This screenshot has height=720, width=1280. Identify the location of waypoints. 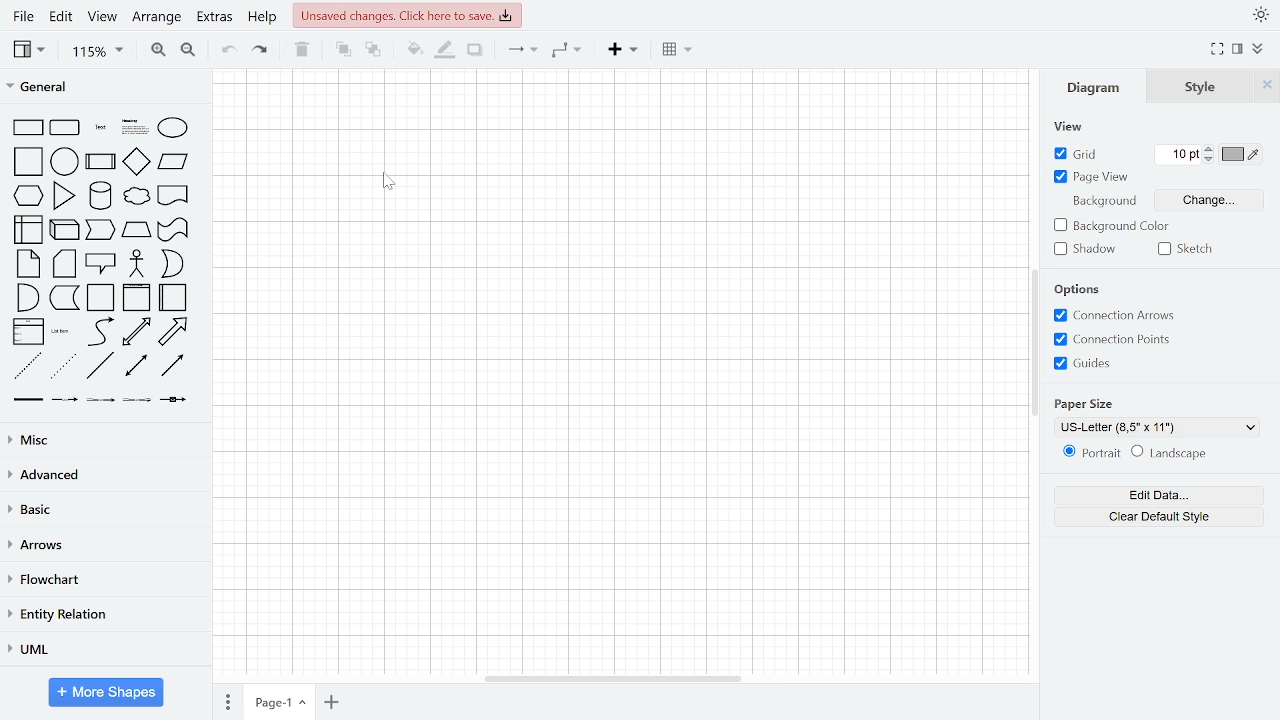
(566, 52).